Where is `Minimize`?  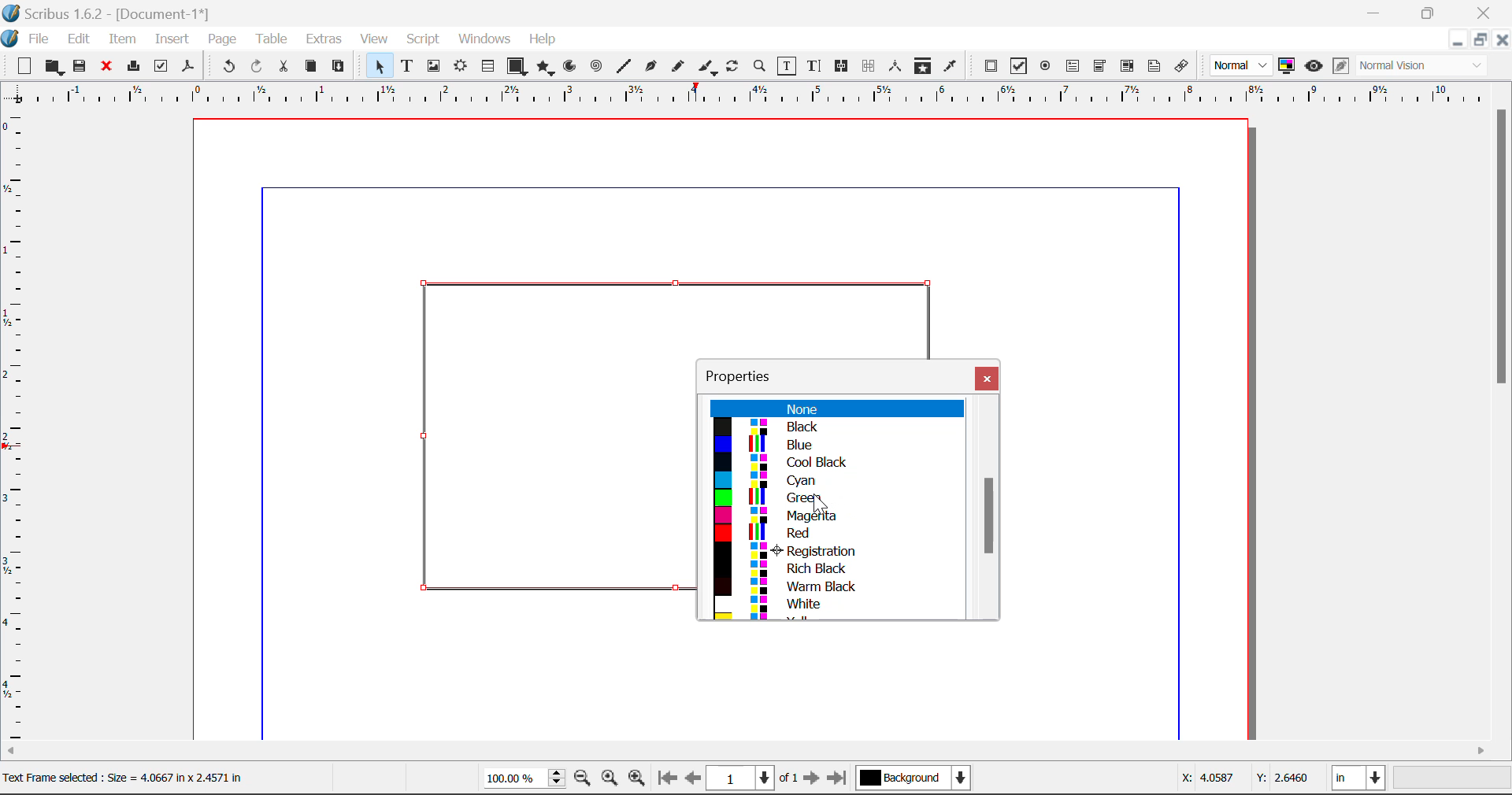 Minimize is located at coordinates (1480, 39).